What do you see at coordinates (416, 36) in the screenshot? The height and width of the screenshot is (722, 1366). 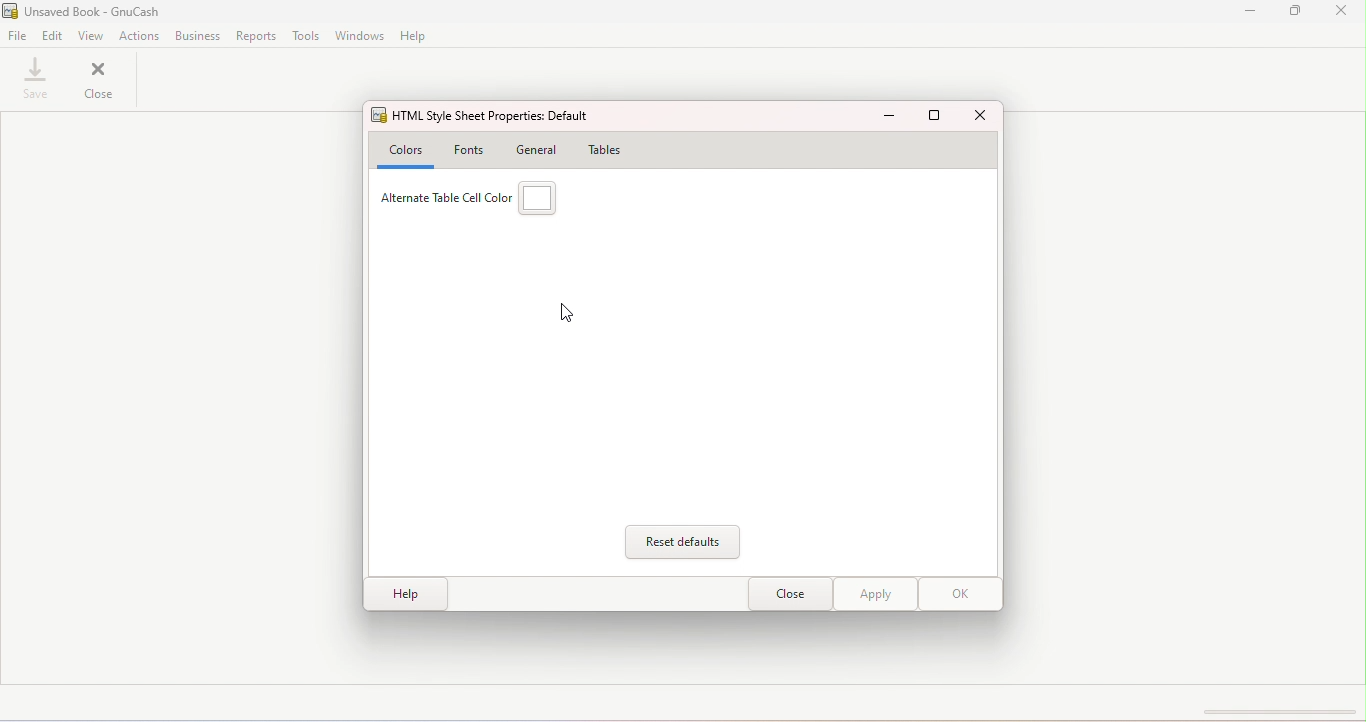 I see `Help` at bounding box center [416, 36].